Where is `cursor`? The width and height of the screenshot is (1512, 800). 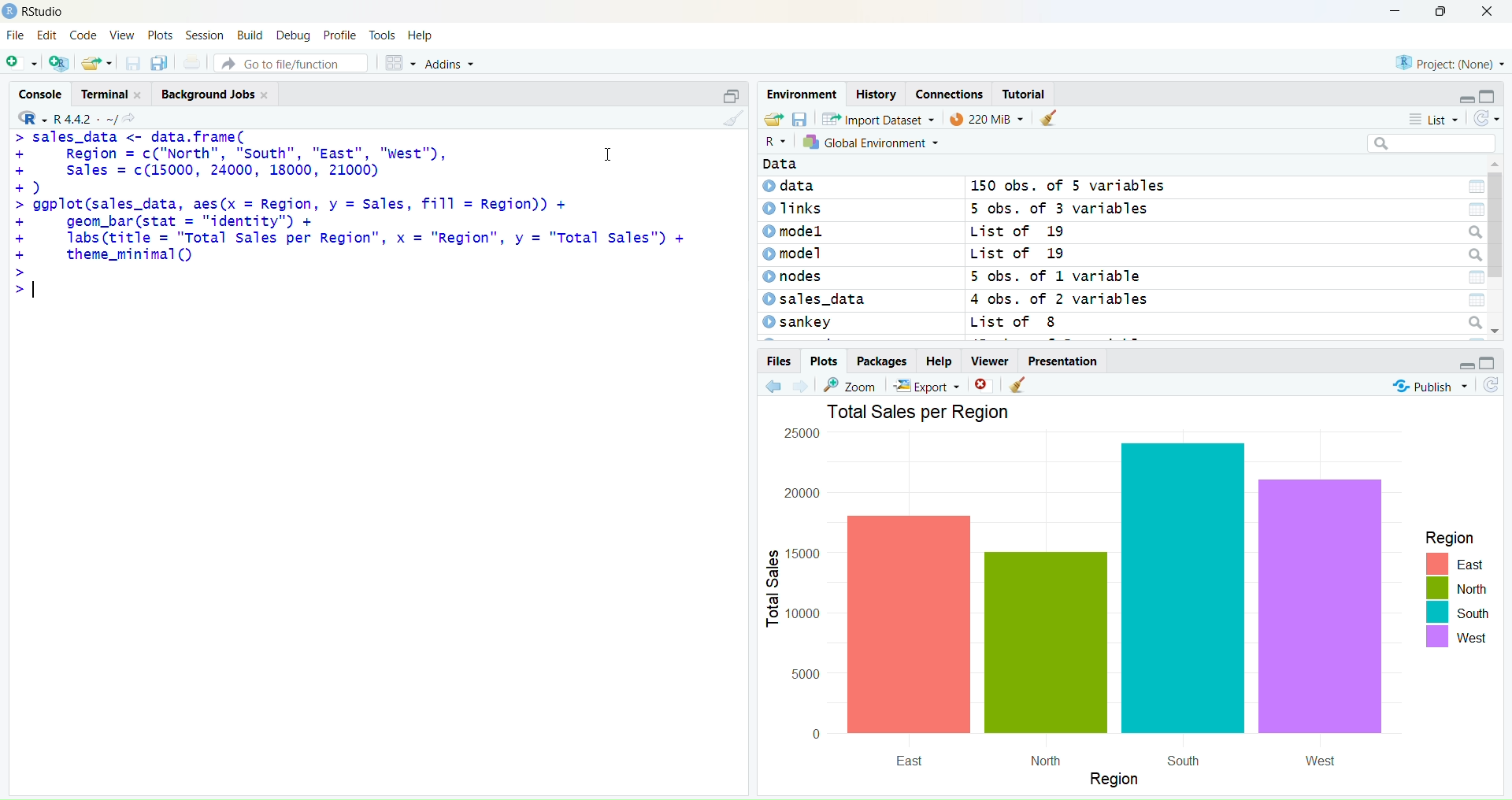
cursor is located at coordinates (607, 154).